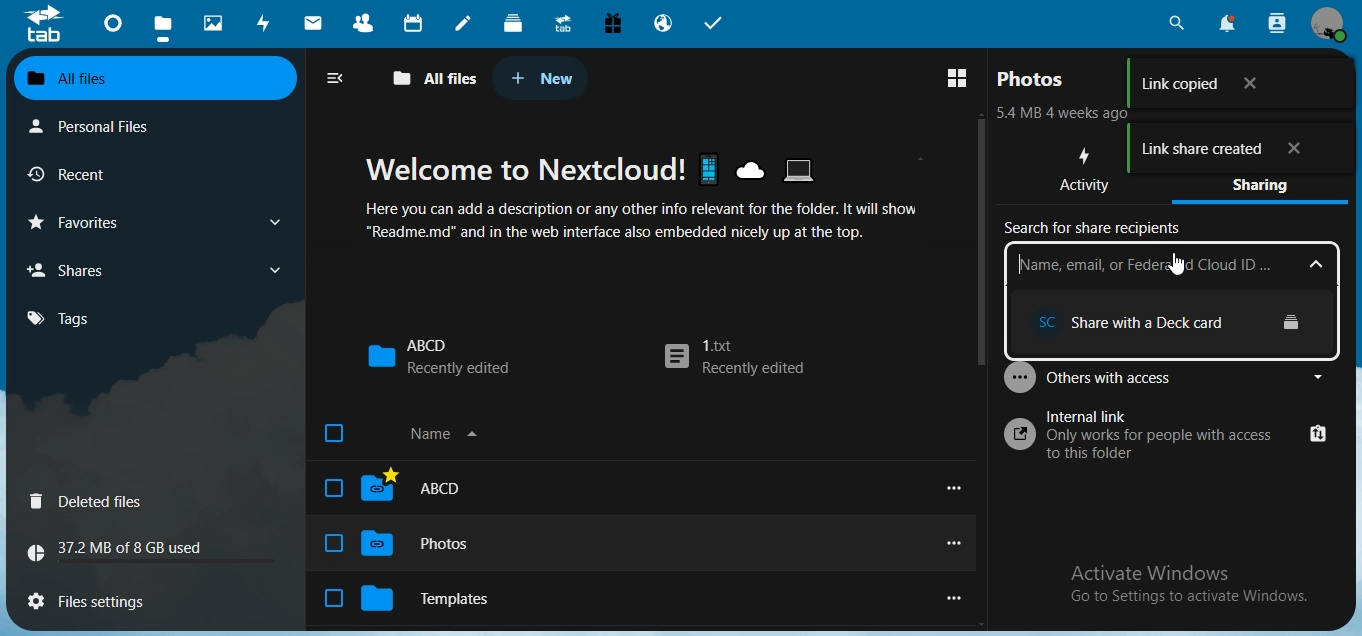 The width and height of the screenshot is (1362, 636). What do you see at coordinates (1178, 265) in the screenshot?
I see `` at bounding box center [1178, 265].